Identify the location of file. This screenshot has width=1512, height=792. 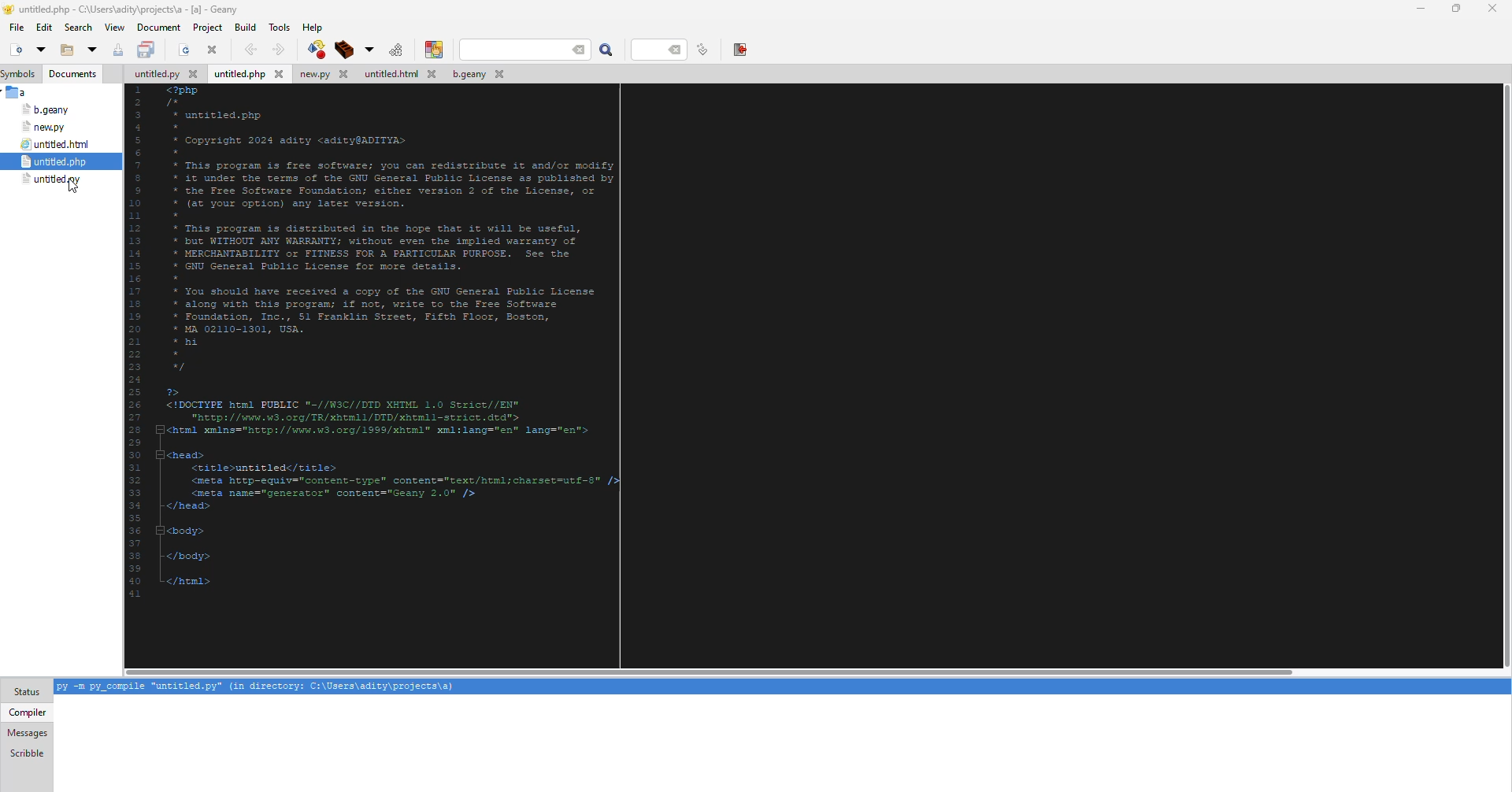
(15, 26).